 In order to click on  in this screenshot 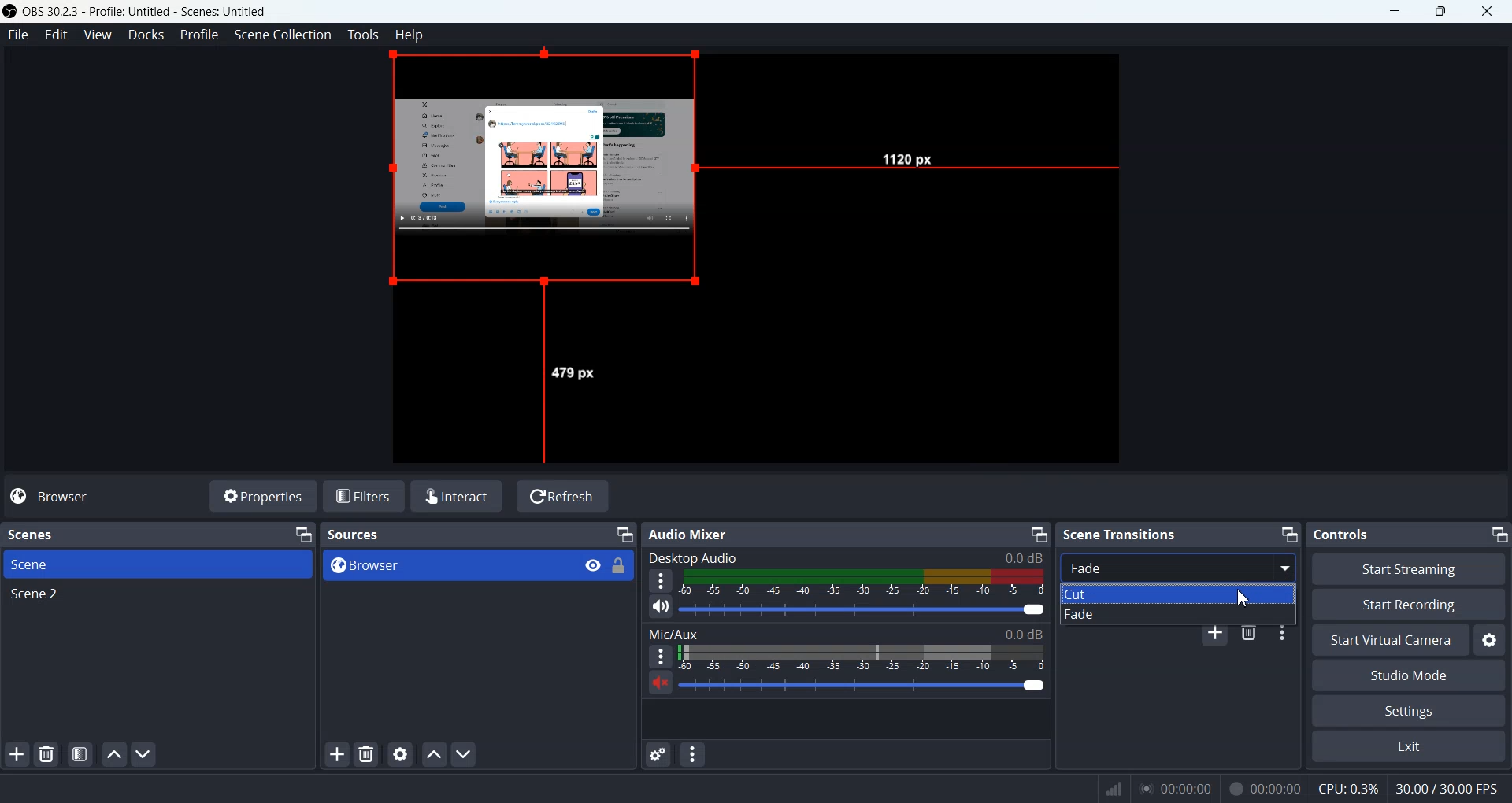, I will do `click(1114, 788)`.